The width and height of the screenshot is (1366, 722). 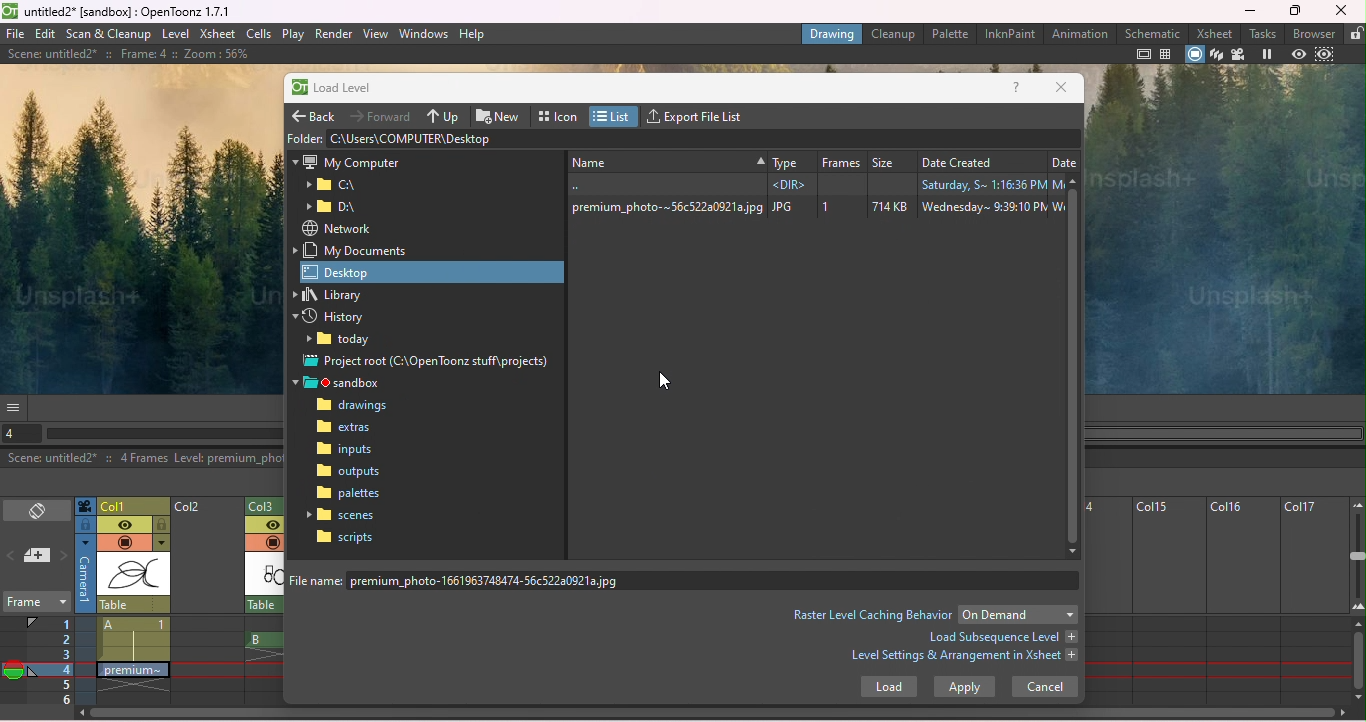 I want to click on Browser, so click(x=1315, y=33).